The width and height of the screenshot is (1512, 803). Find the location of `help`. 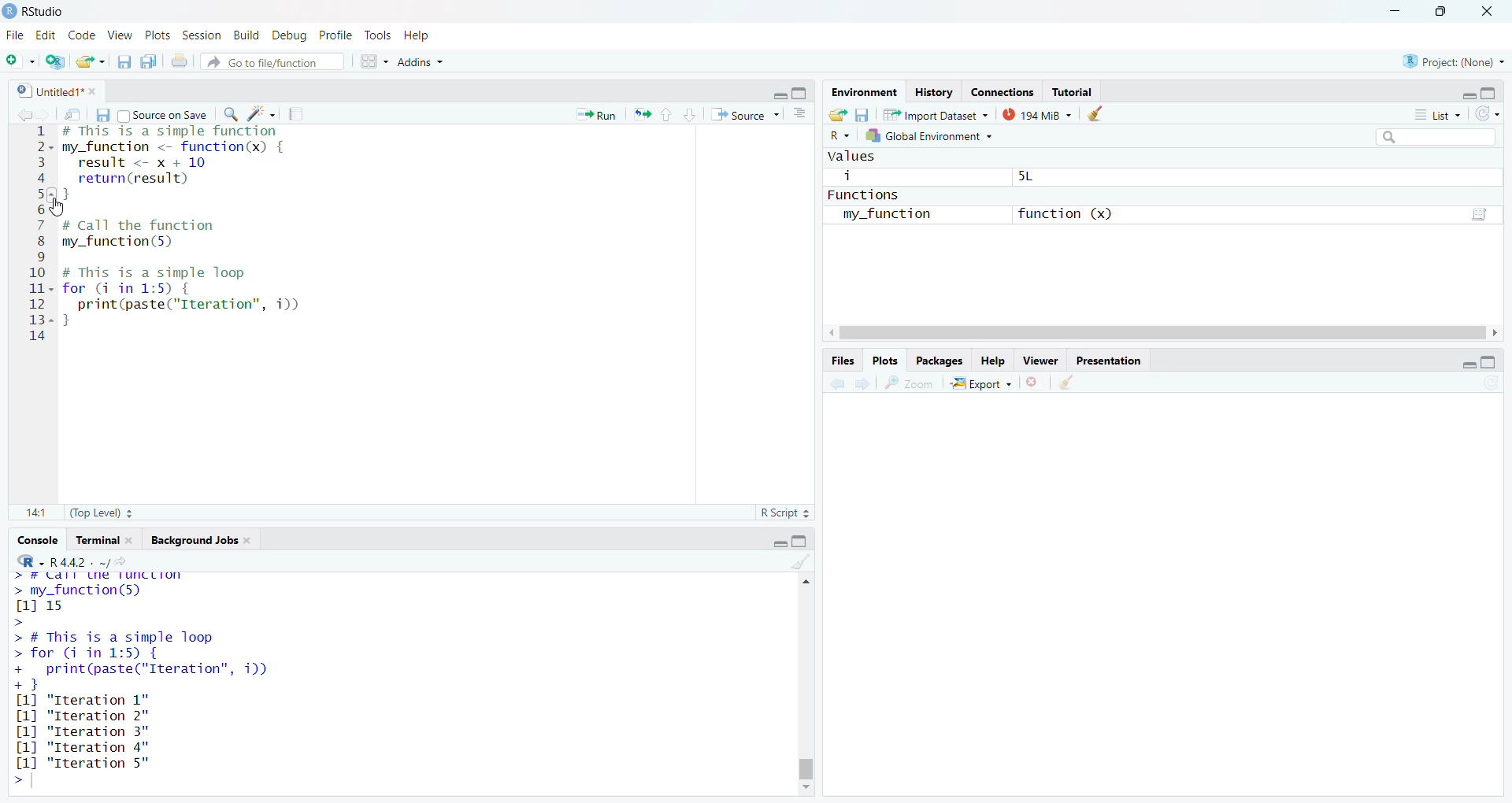

help is located at coordinates (422, 34).